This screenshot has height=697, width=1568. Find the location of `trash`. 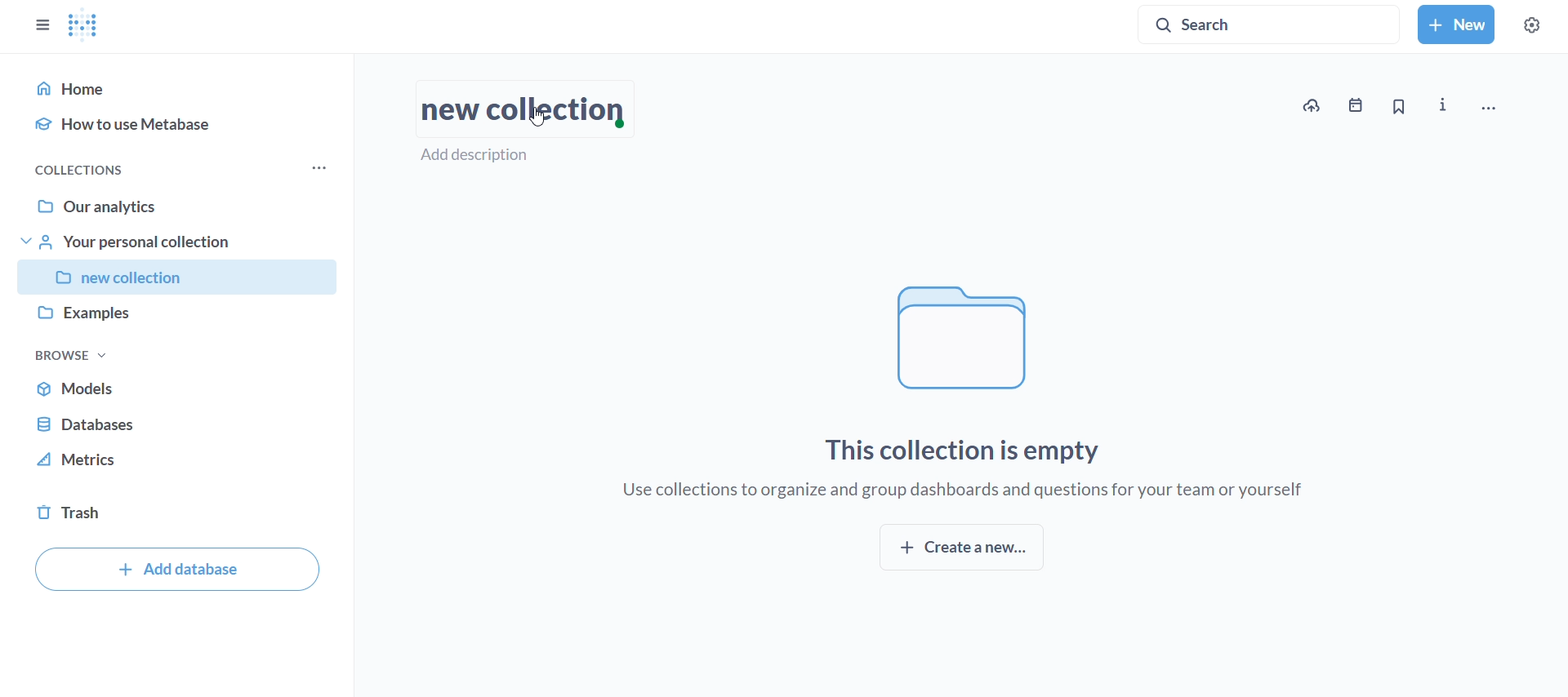

trash is located at coordinates (180, 517).